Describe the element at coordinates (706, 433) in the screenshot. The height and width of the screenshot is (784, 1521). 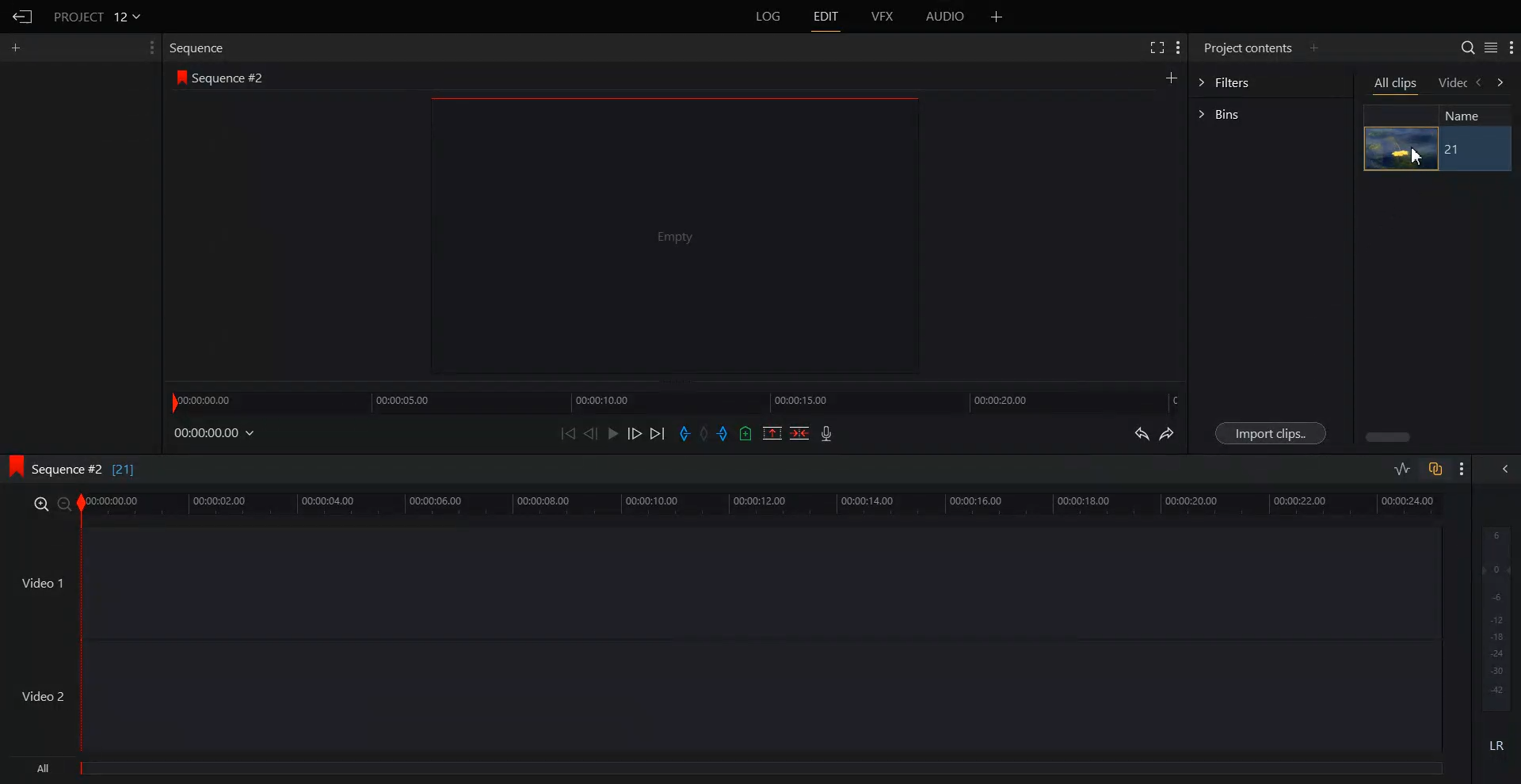
I see `Remove all mark` at that location.